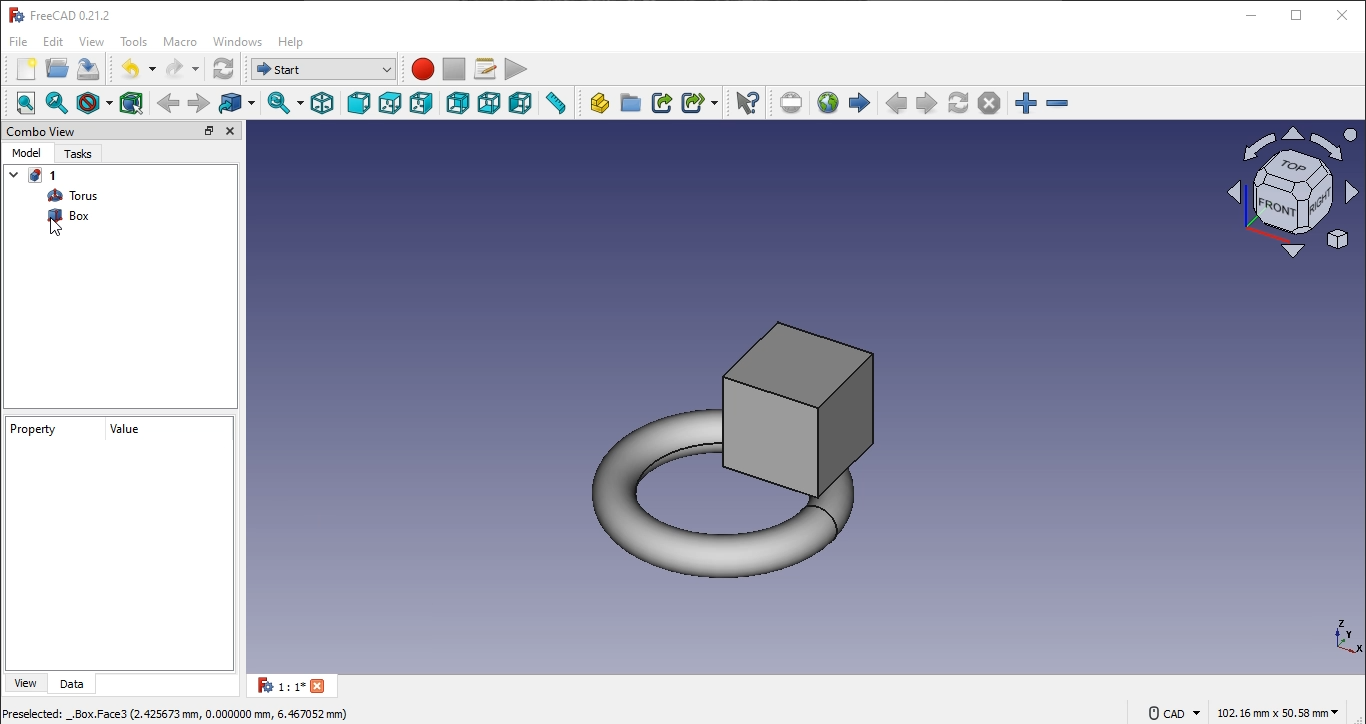 This screenshot has height=724, width=1366. I want to click on 102.16 mm x 50.58 mm ~, so click(1276, 712).